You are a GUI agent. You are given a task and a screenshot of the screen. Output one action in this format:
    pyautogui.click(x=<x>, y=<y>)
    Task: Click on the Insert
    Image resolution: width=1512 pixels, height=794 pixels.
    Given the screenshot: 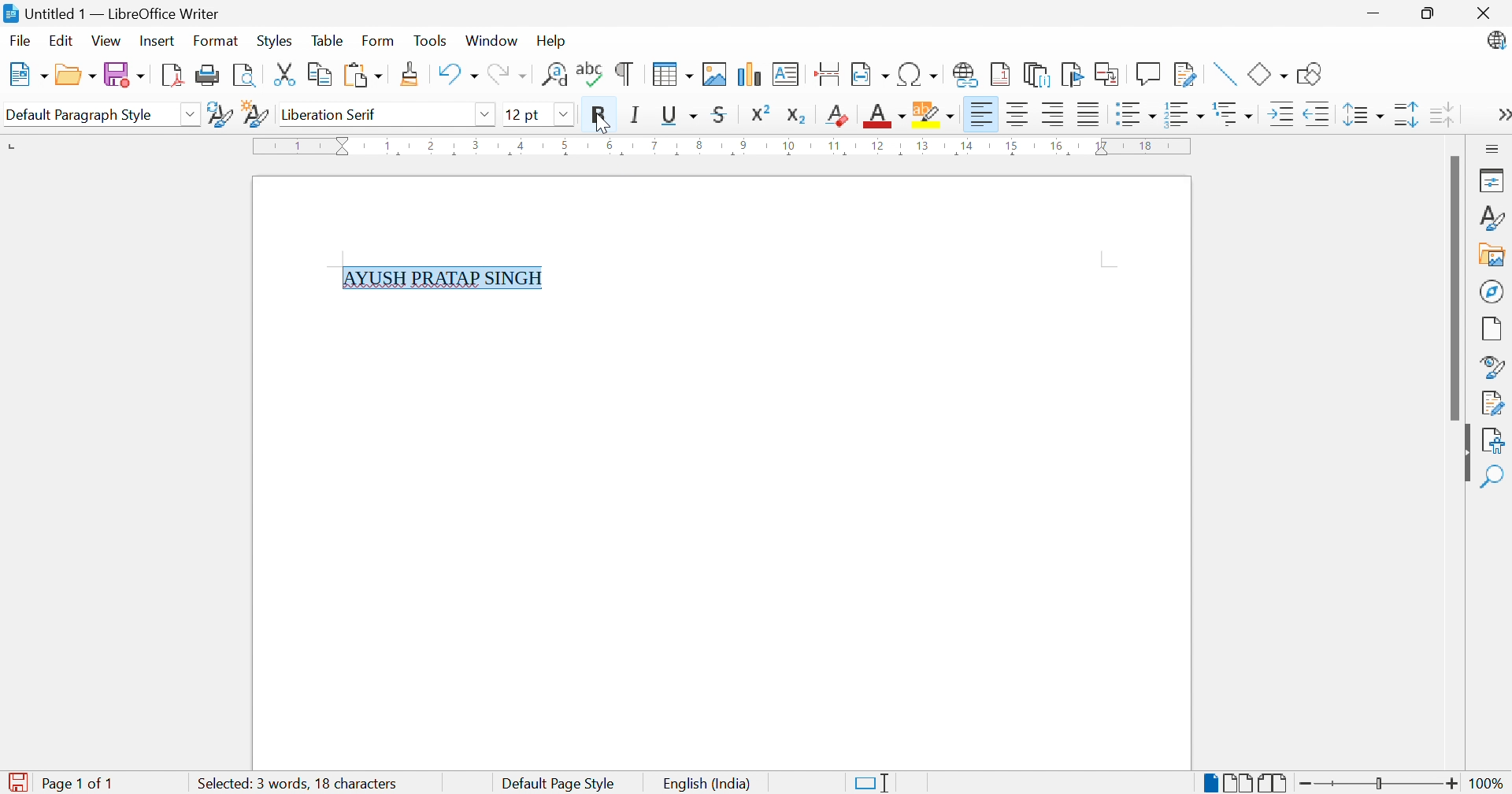 What is the action you would take?
    pyautogui.click(x=159, y=39)
    